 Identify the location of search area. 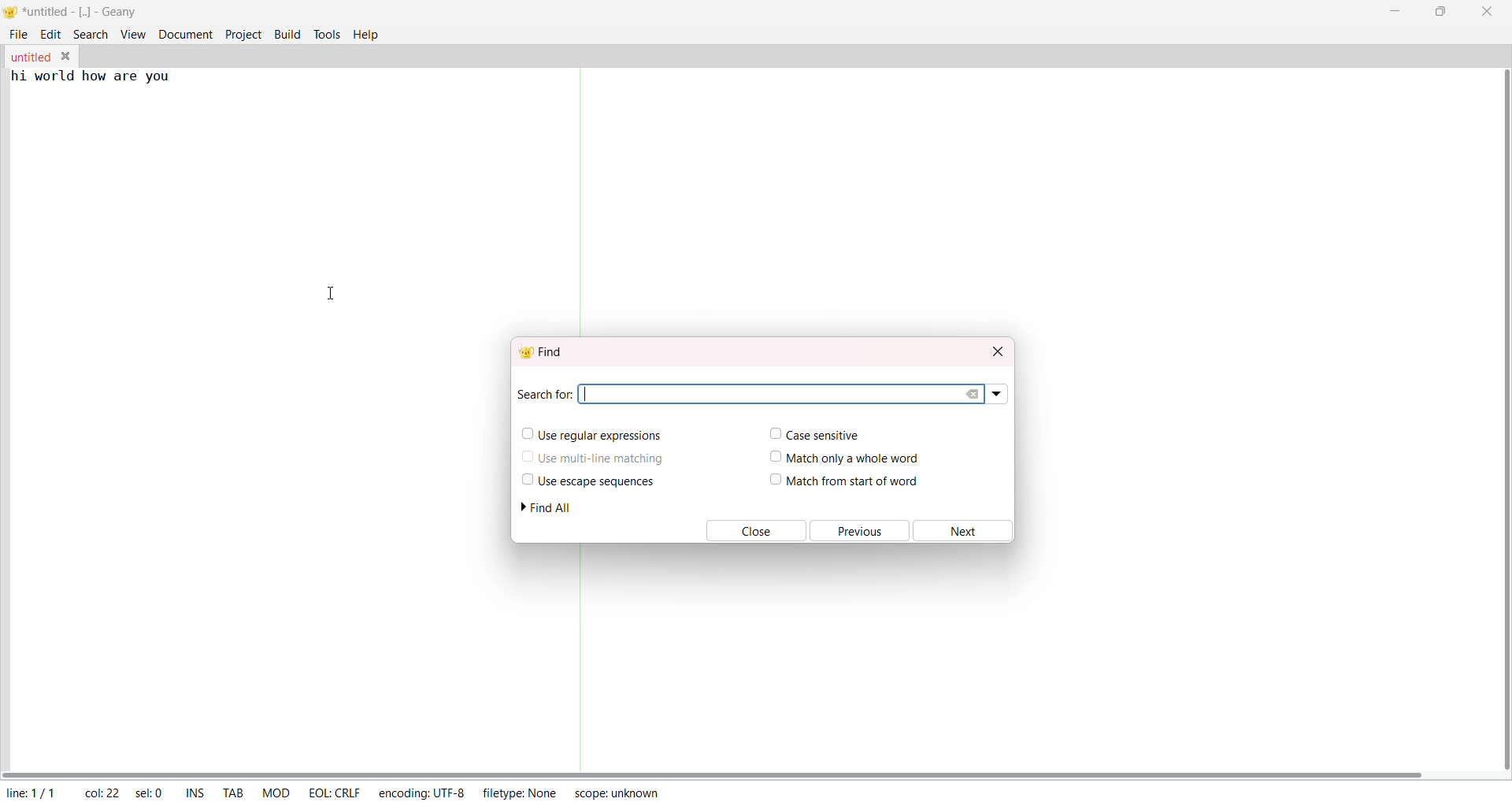
(769, 394).